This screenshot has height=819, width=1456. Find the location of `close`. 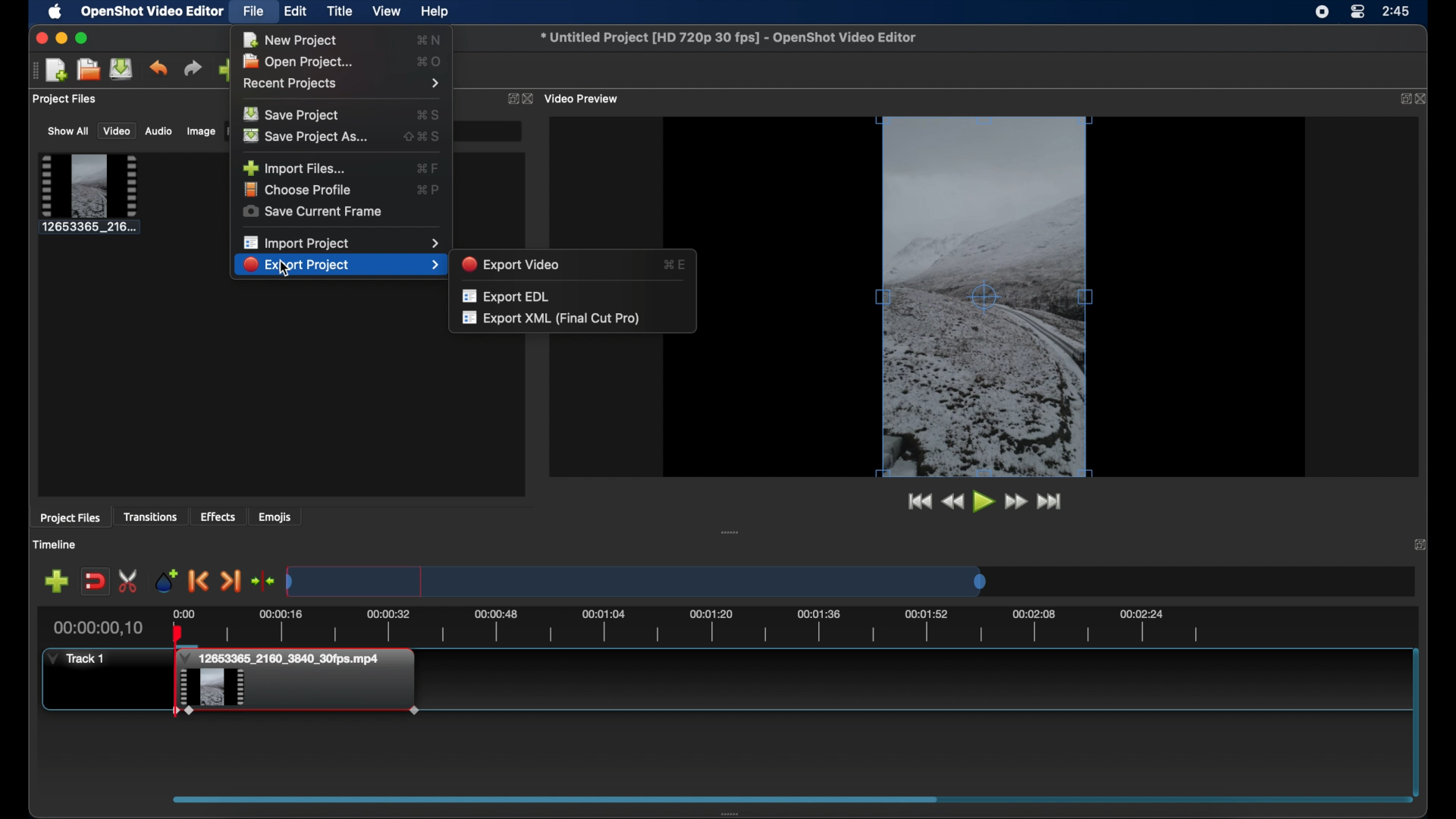

close is located at coordinates (1421, 544).